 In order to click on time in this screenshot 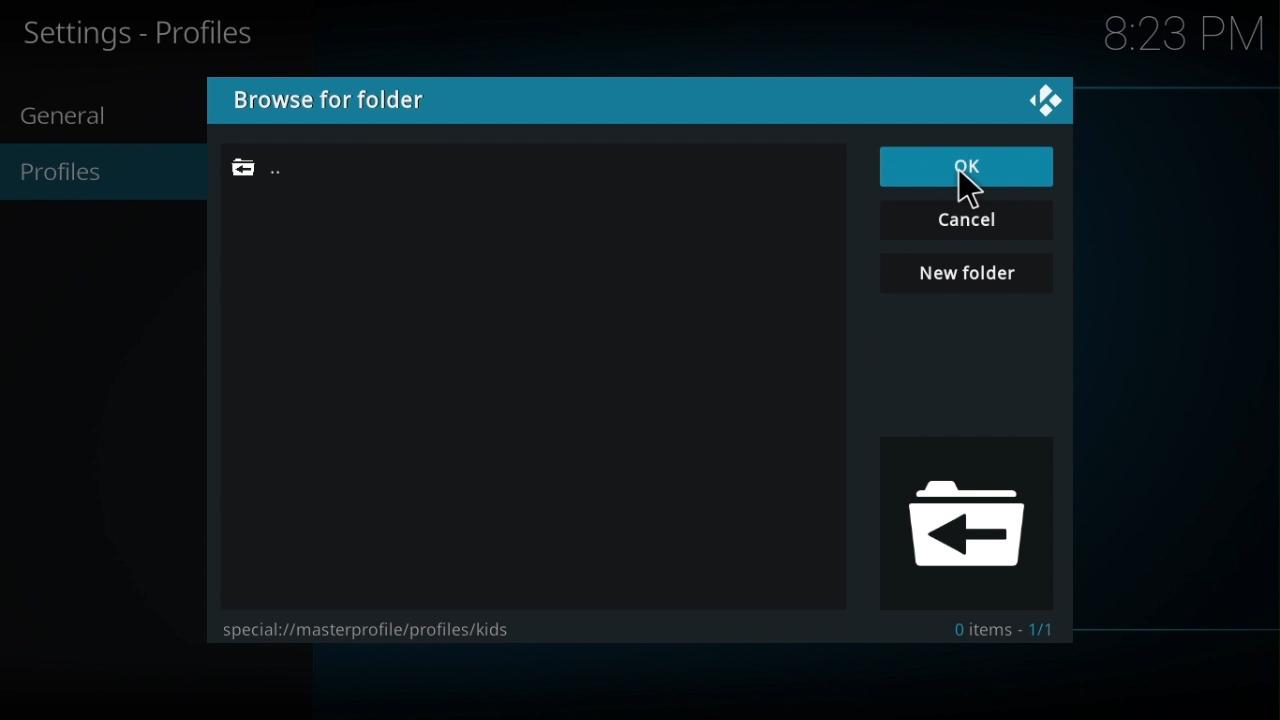, I will do `click(1182, 34)`.